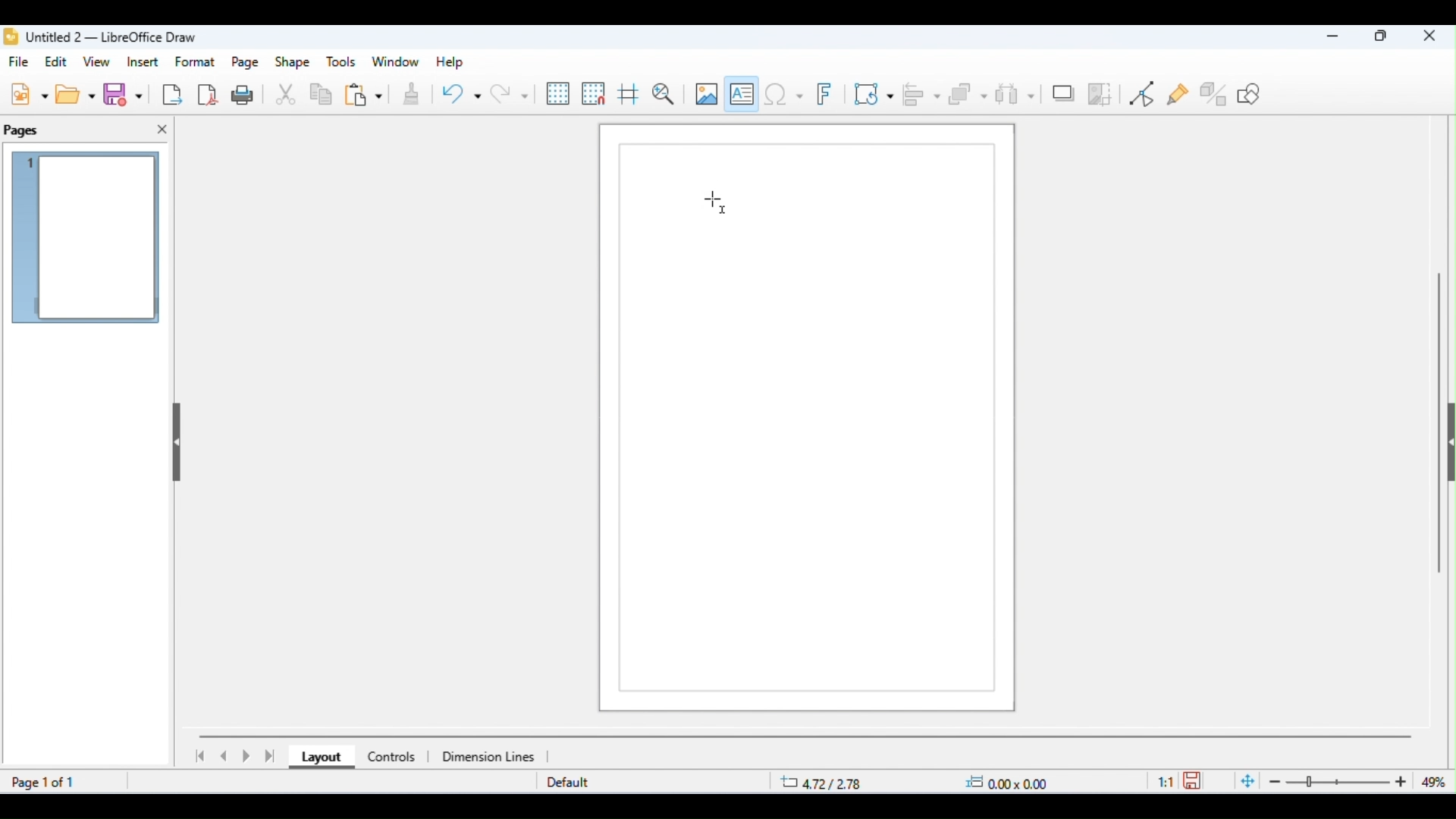 This screenshot has height=819, width=1456. What do you see at coordinates (58, 61) in the screenshot?
I see `edit` at bounding box center [58, 61].